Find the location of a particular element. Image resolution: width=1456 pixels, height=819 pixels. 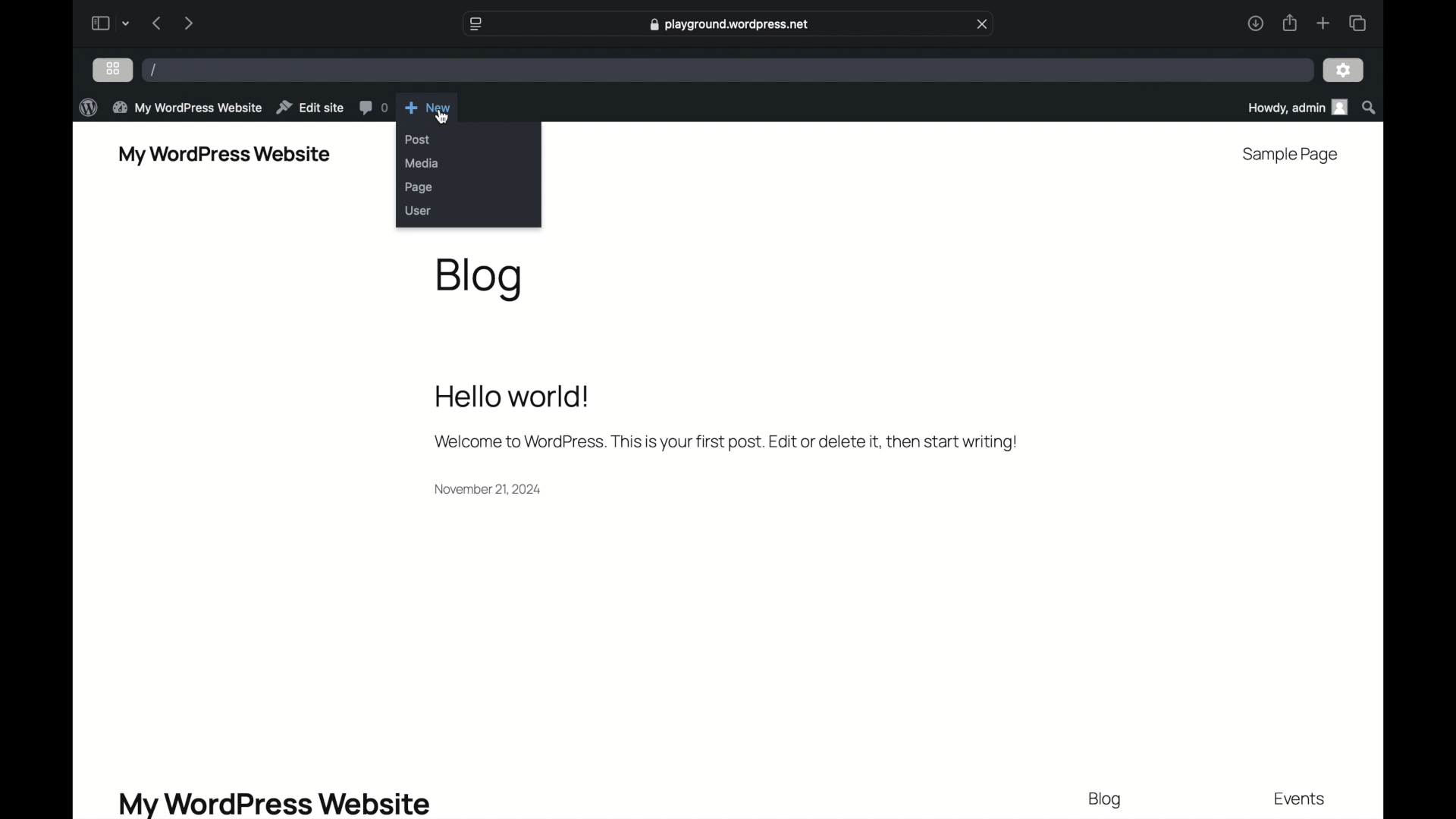

edit site is located at coordinates (309, 108).